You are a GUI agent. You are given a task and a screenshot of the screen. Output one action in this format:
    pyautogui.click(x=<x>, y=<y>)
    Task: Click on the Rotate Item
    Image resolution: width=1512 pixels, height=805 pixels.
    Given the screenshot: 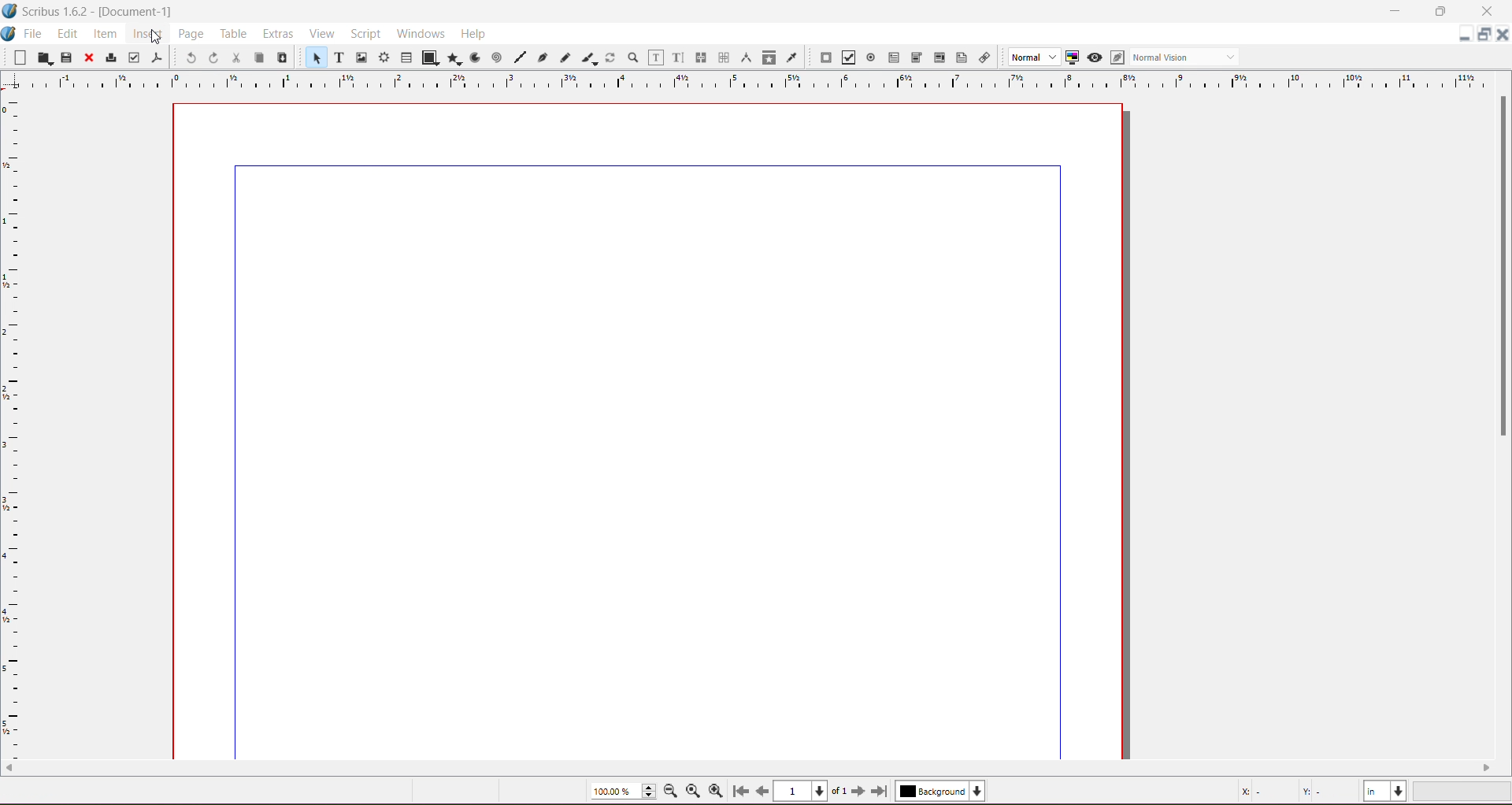 What is the action you would take?
    pyautogui.click(x=610, y=57)
    